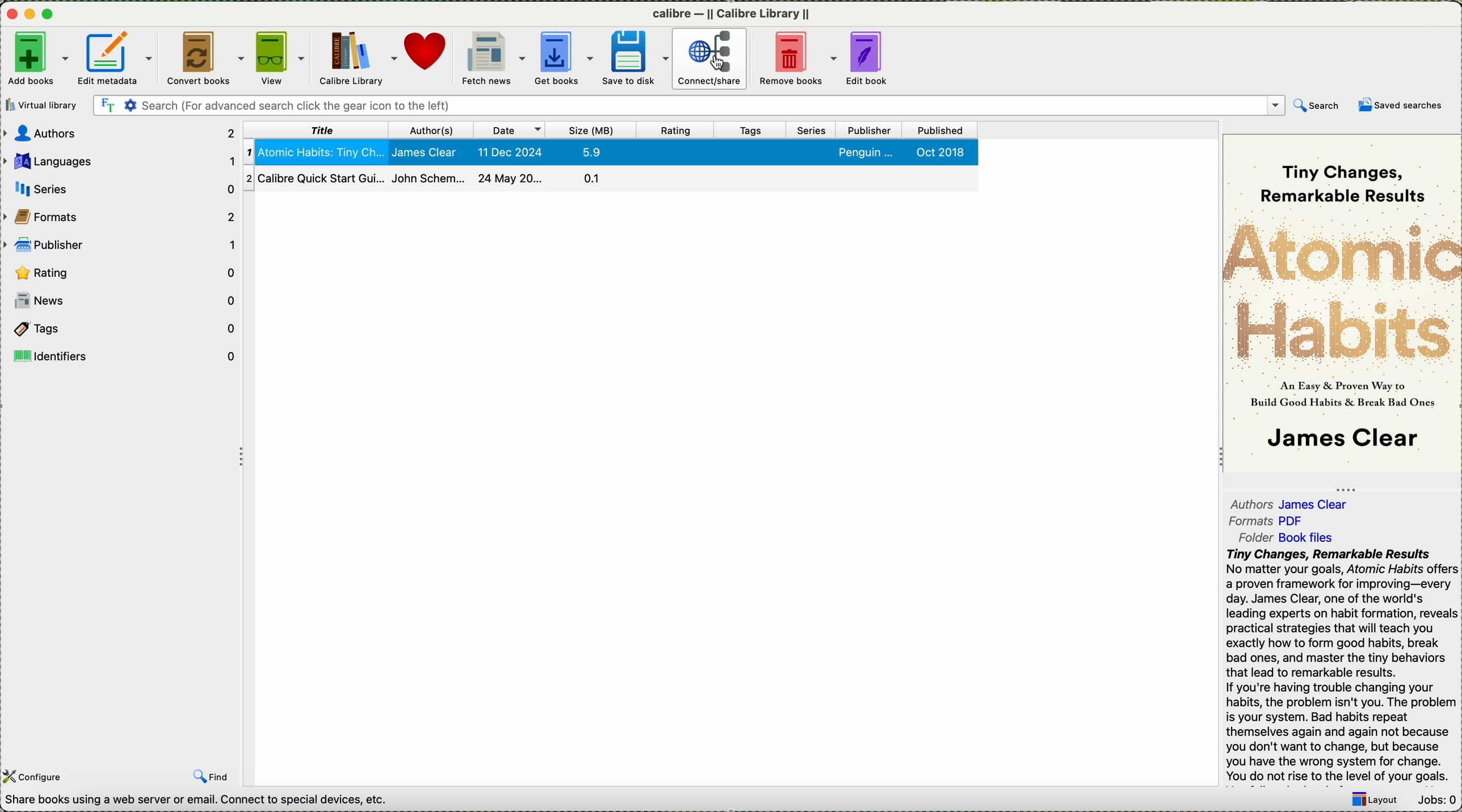 The width and height of the screenshot is (1462, 812). I want to click on save to disk, so click(638, 59).